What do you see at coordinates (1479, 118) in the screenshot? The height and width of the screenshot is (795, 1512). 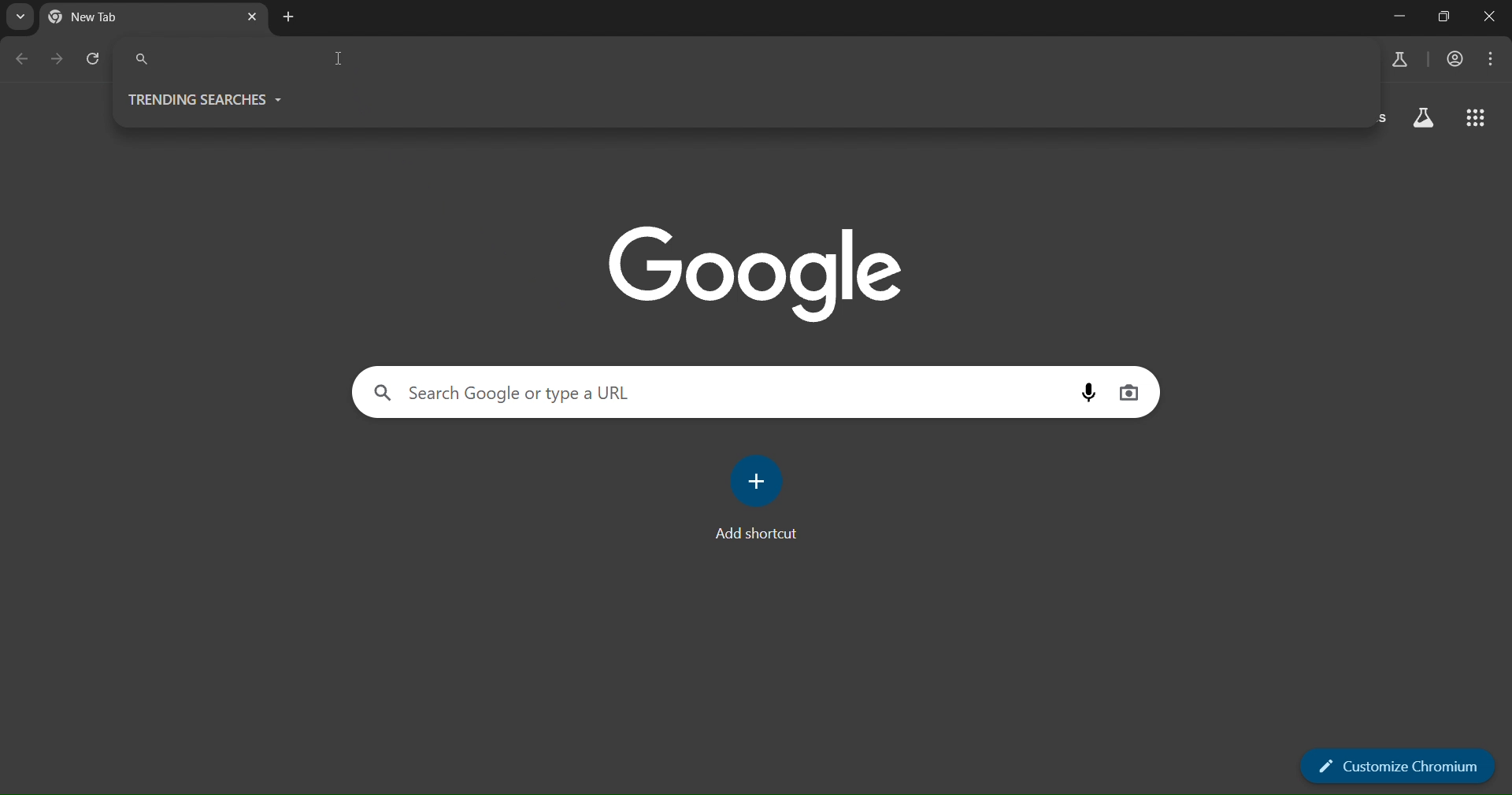 I see `google apps` at bounding box center [1479, 118].